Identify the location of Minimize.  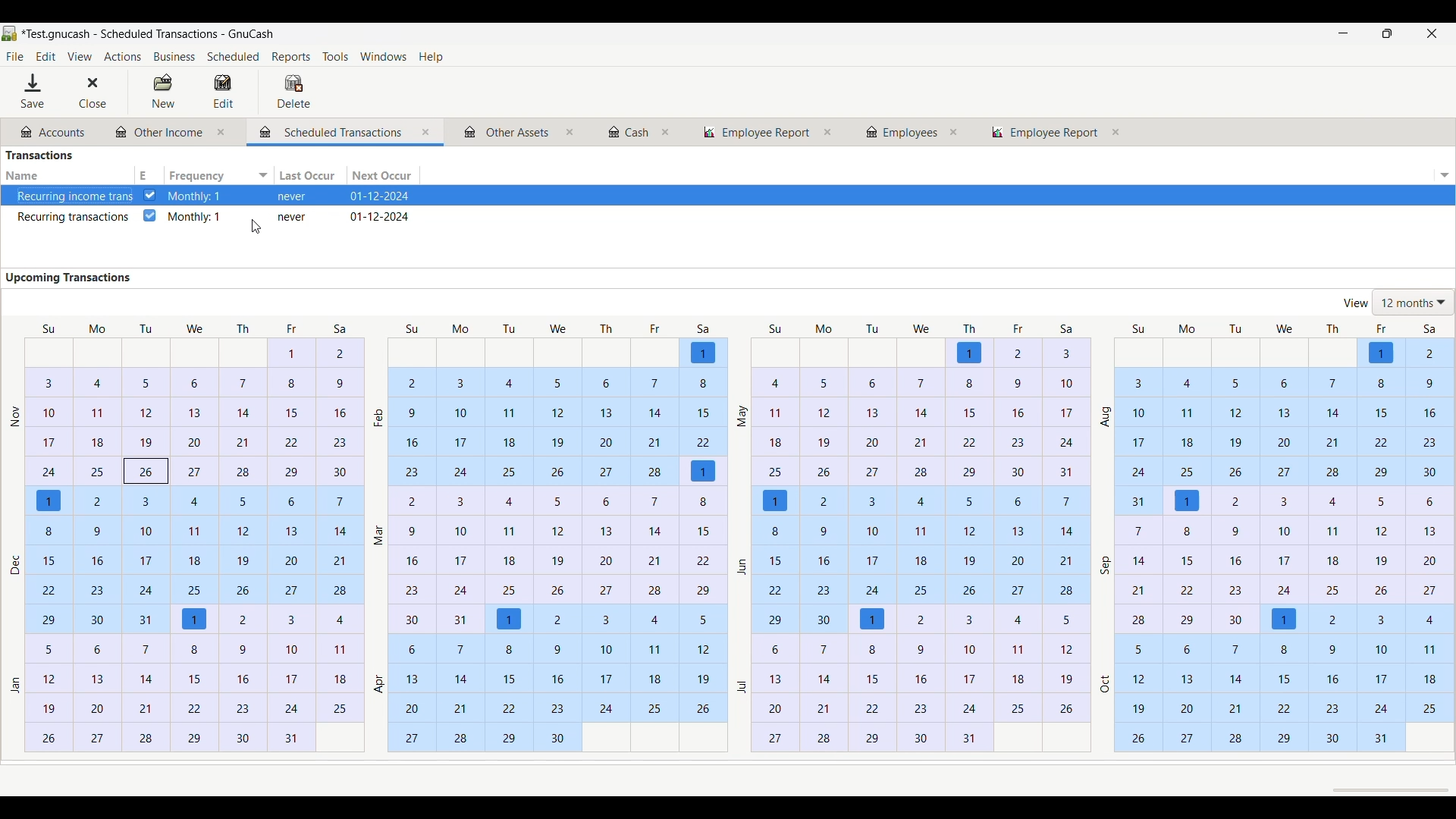
(1338, 34).